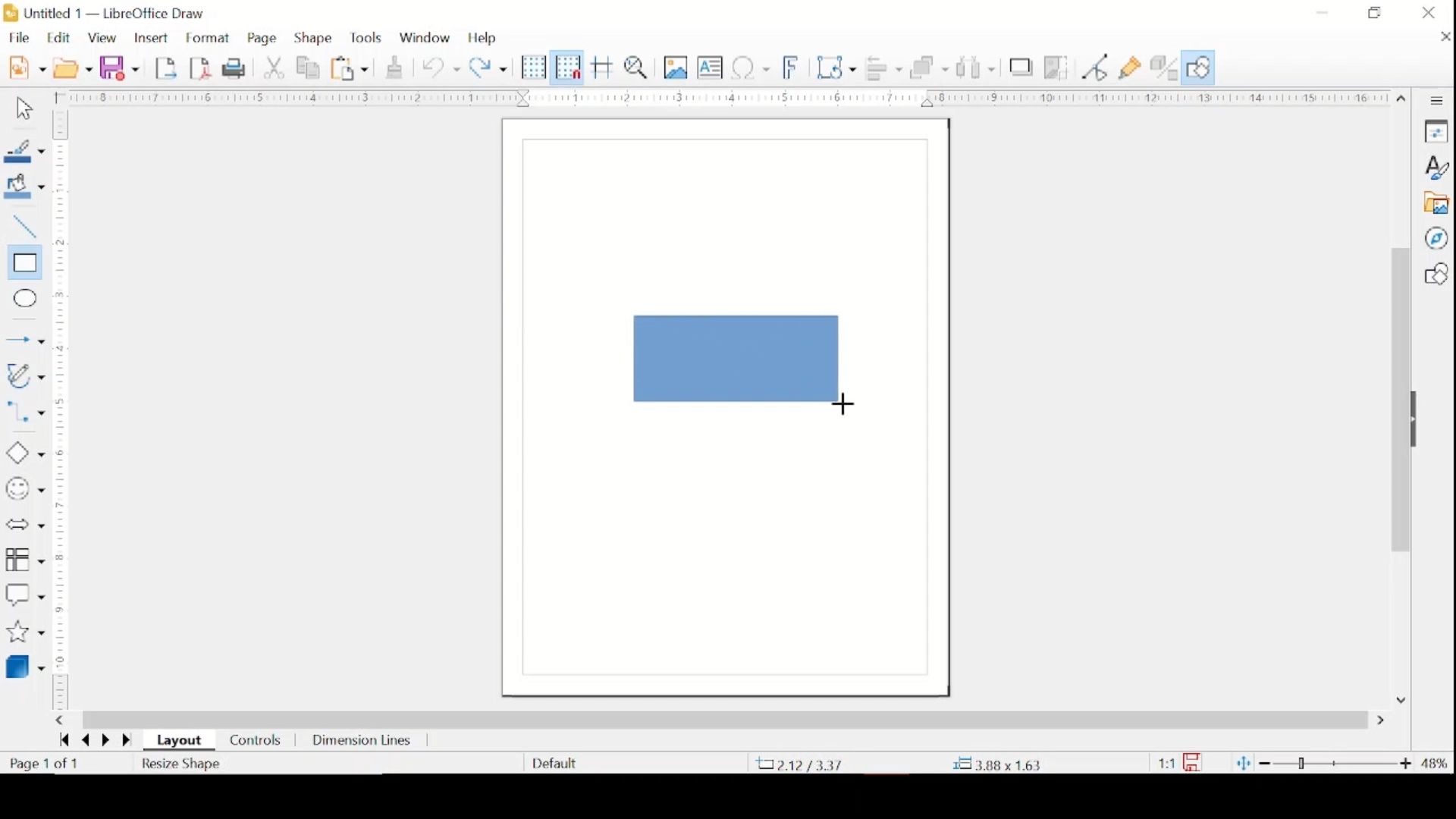 The height and width of the screenshot is (819, 1456). Describe the element at coordinates (488, 66) in the screenshot. I see `redo` at that location.